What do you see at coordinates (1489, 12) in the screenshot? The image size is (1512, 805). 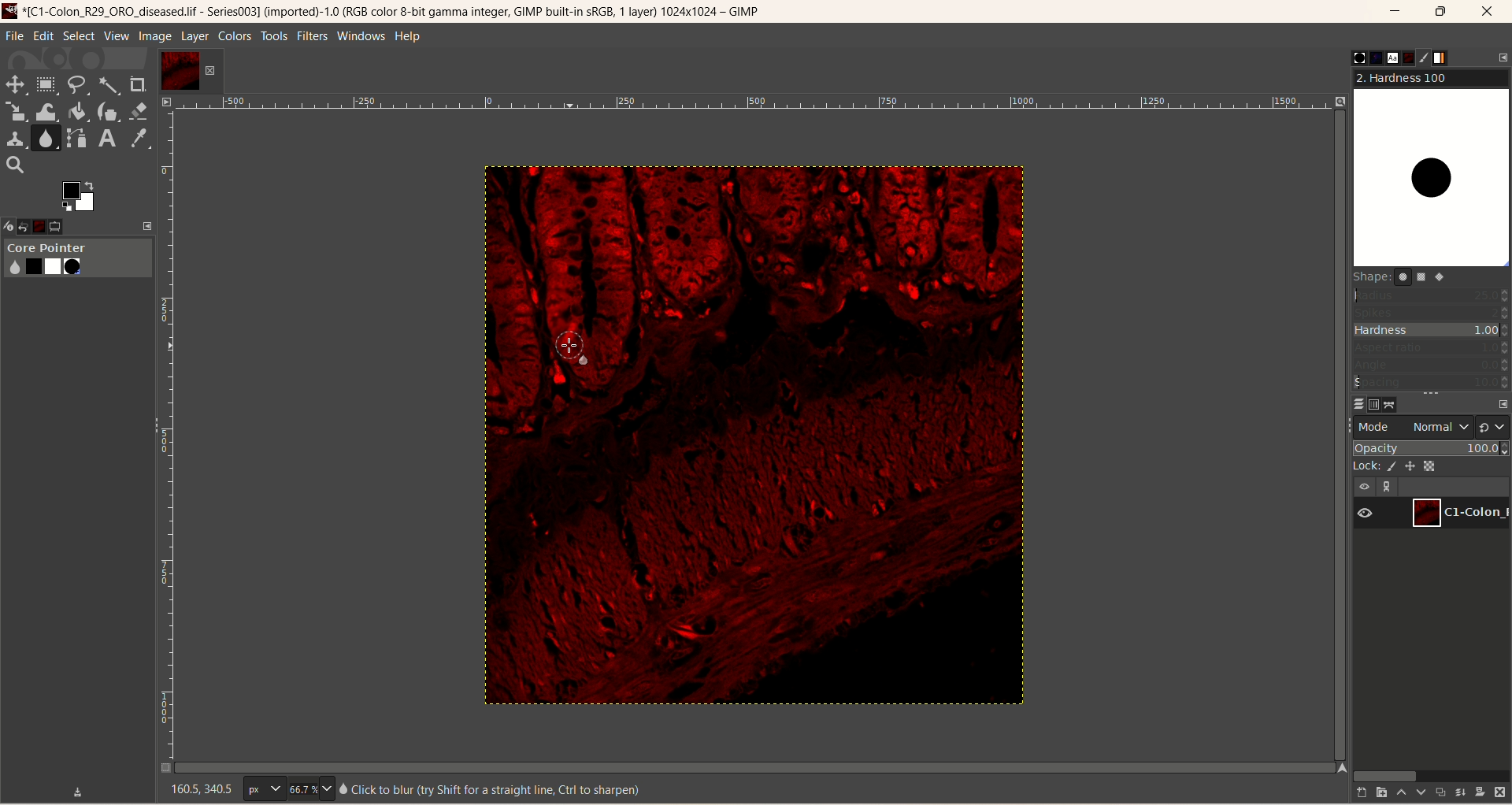 I see `close` at bounding box center [1489, 12].